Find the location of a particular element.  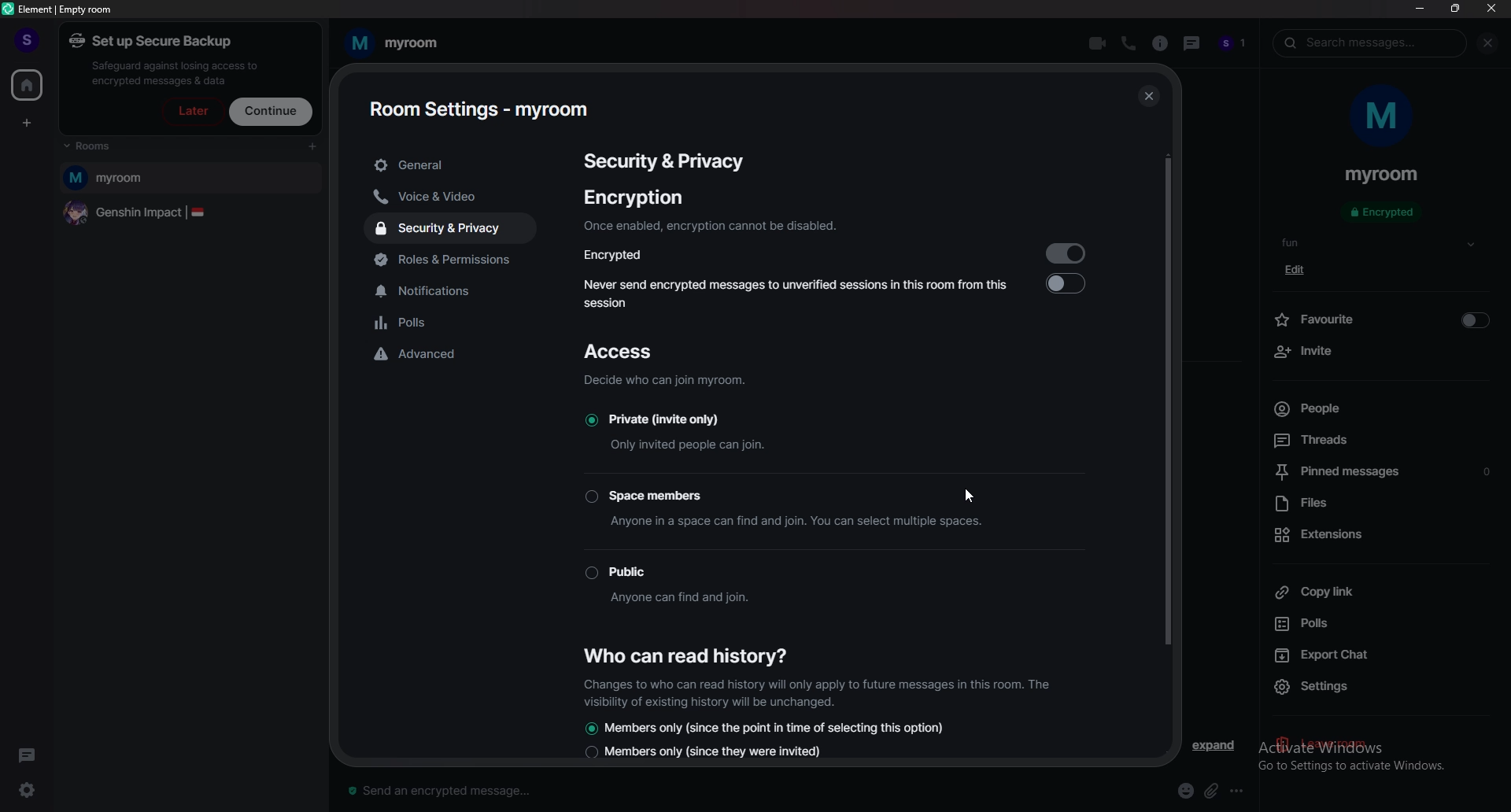

access is located at coordinates (629, 352).